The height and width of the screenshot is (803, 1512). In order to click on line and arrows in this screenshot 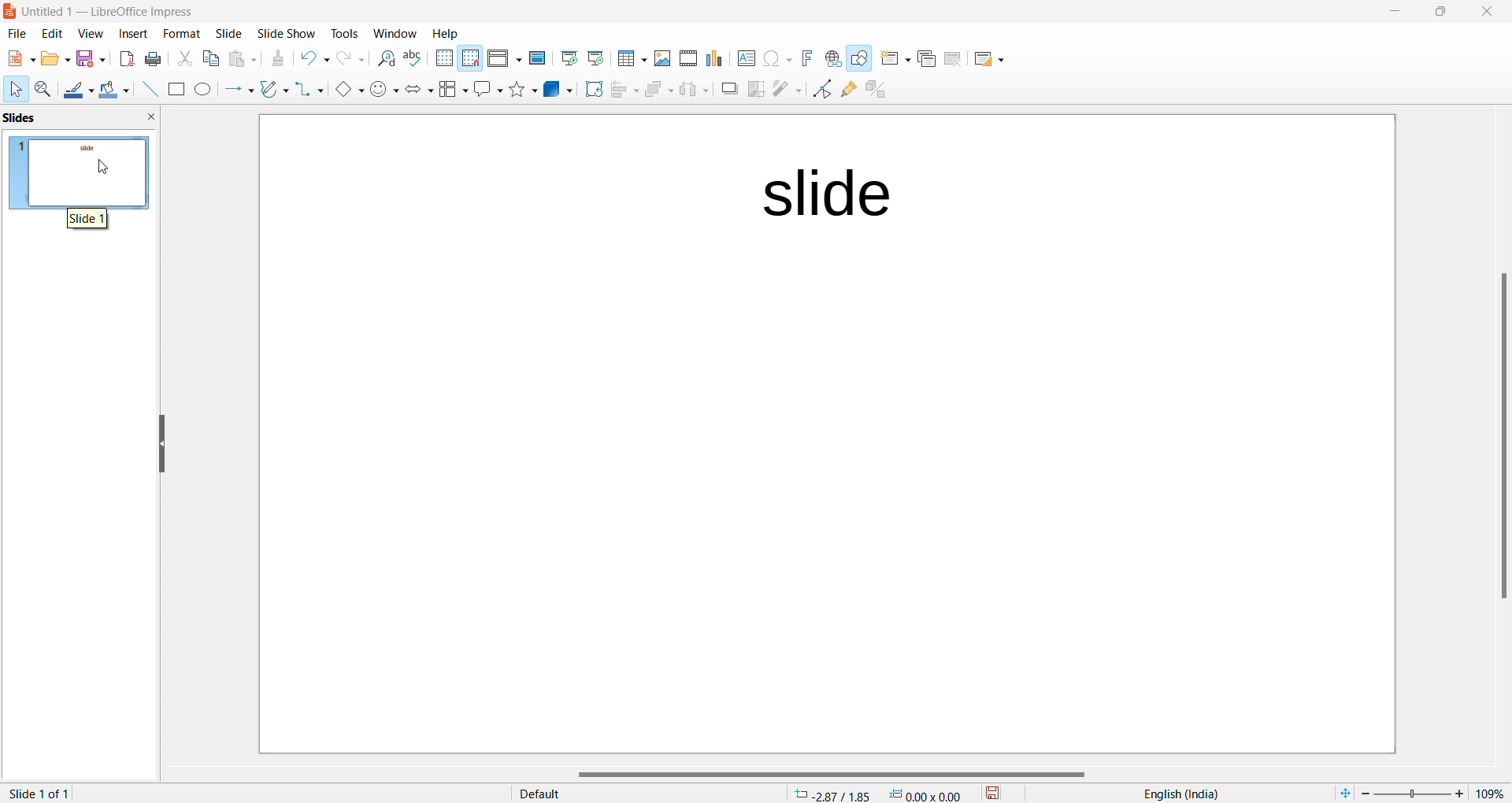, I will do `click(235, 90)`.